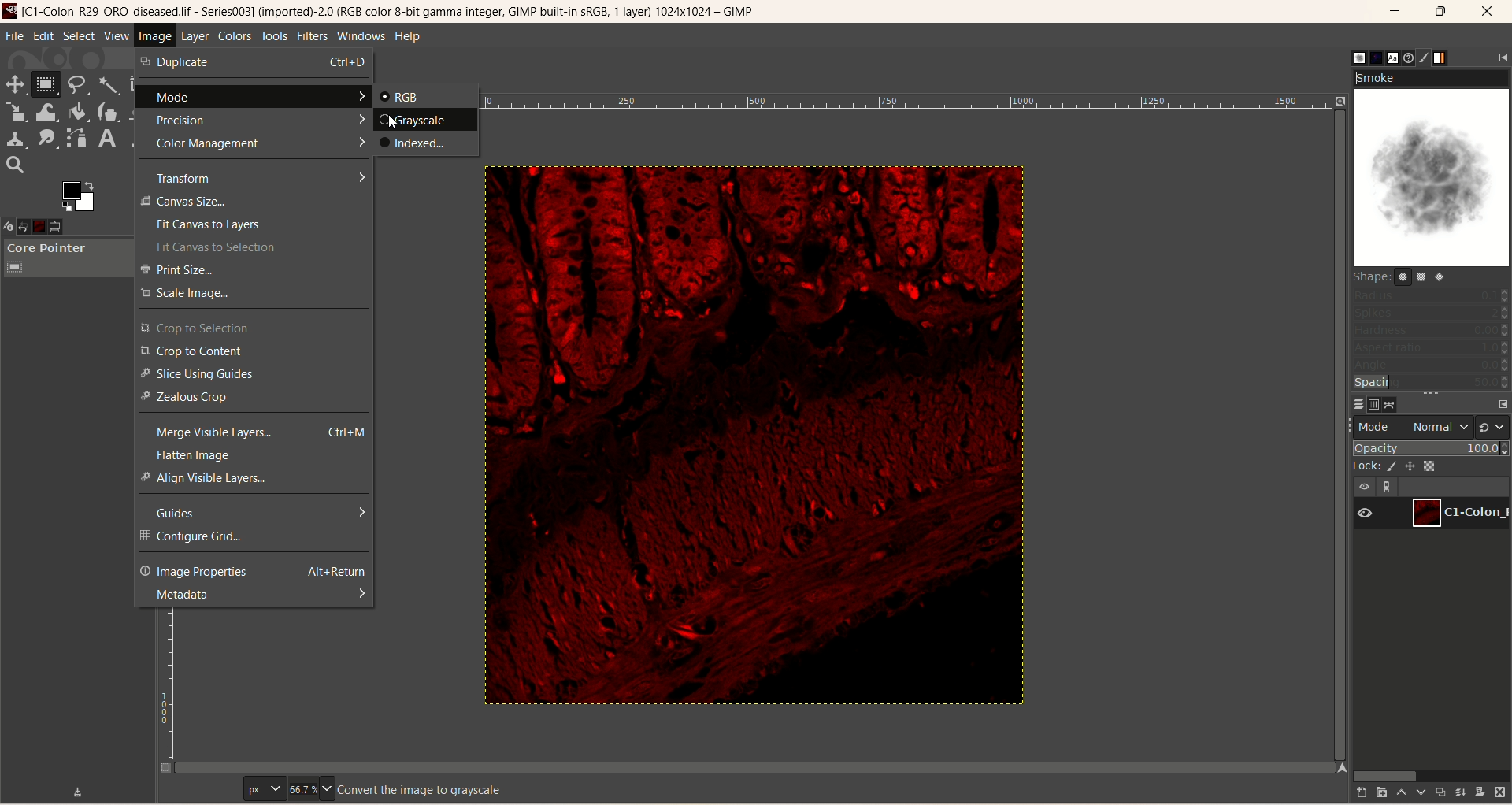  Describe the element at coordinates (48, 113) in the screenshot. I see `wrap transform` at that location.